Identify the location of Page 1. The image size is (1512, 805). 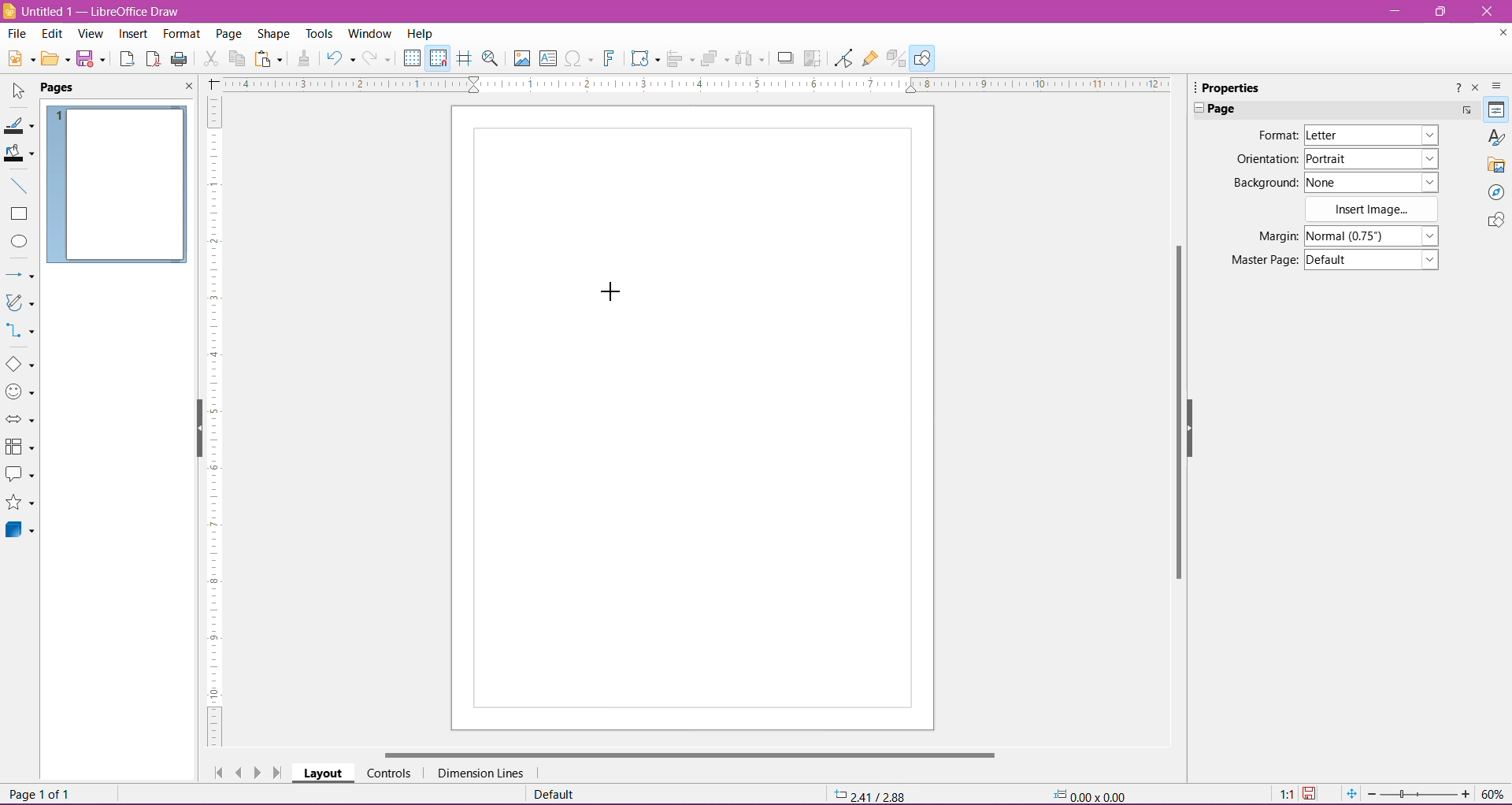
(117, 186).